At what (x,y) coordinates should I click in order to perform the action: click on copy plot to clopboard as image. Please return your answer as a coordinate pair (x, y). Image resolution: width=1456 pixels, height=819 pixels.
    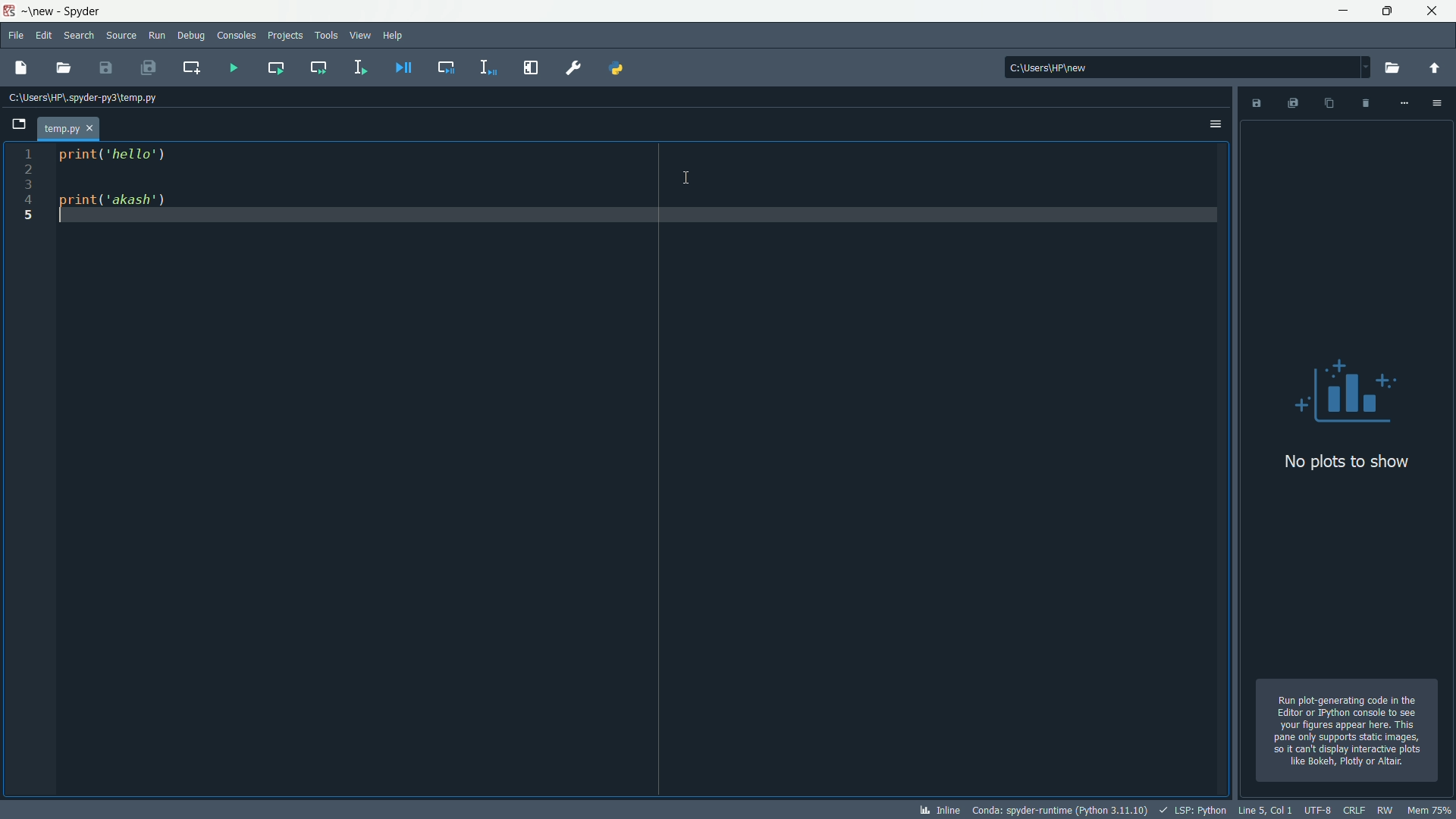
    Looking at the image, I should click on (1326, 103).